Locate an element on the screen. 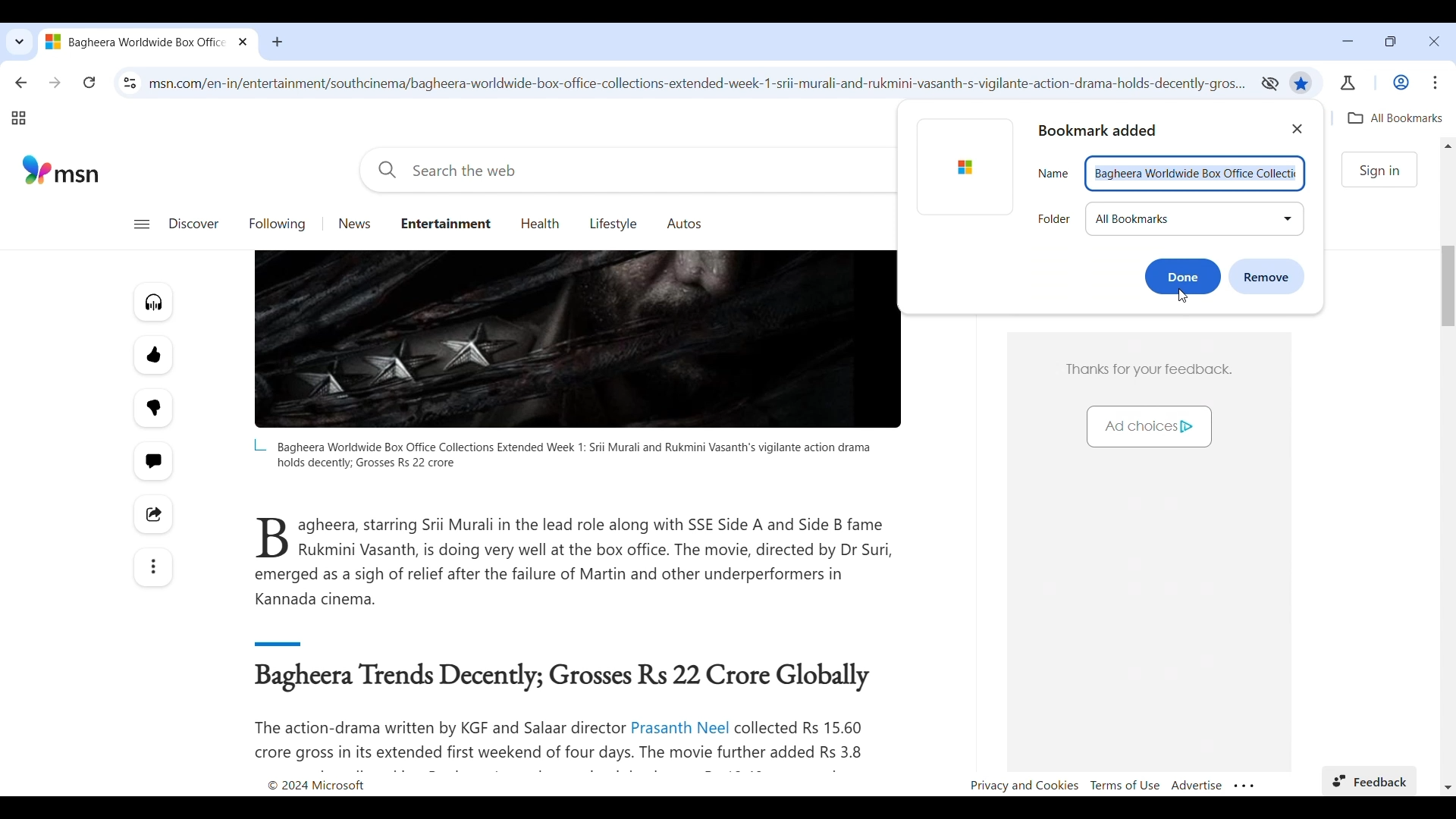 The width and height of the screenshot is (1456, 819). Select folder to save bookmark in is located at coordinates (1195, 219).